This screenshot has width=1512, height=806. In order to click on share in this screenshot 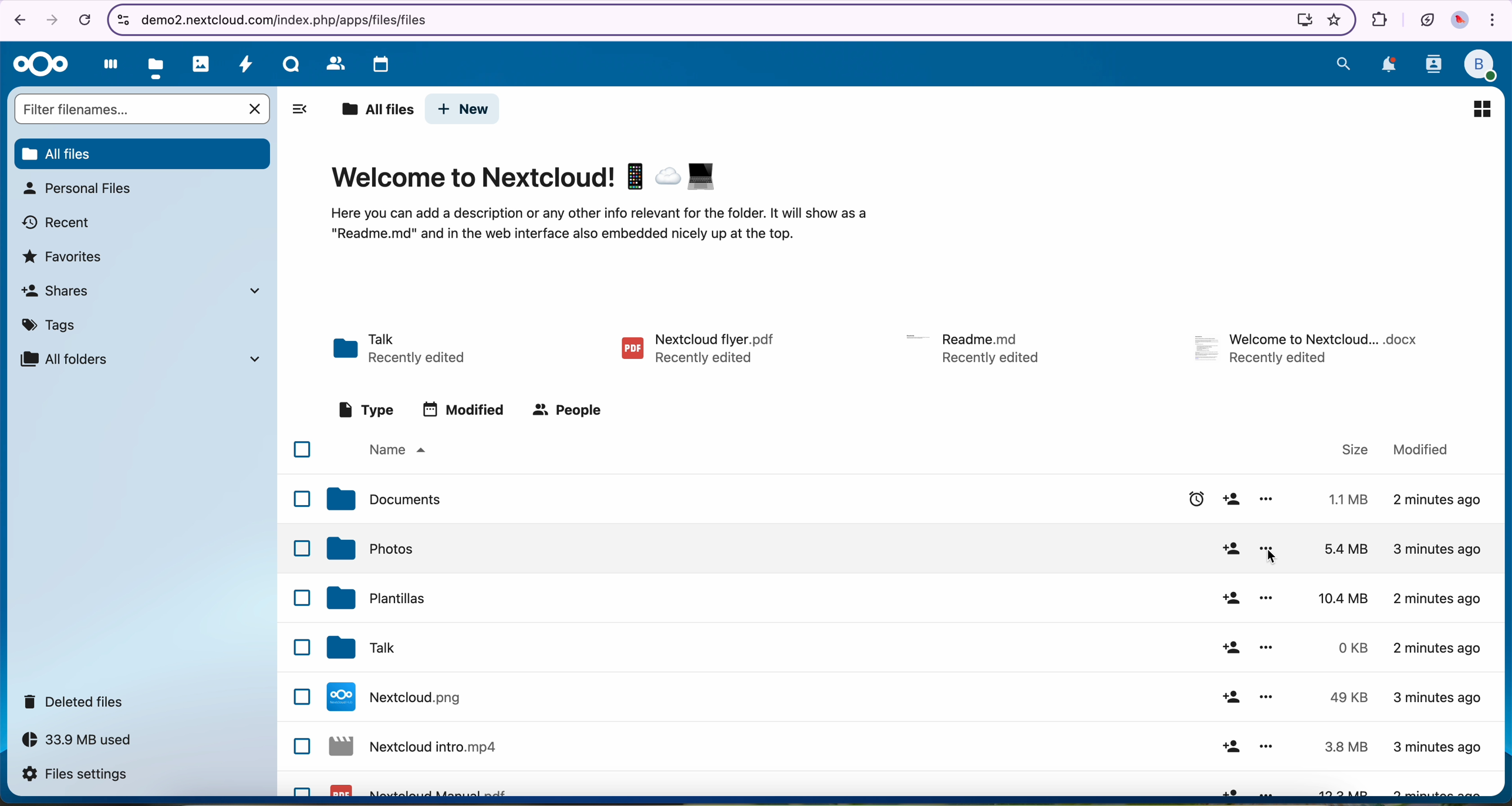, I will do `click(1232, 788)`.